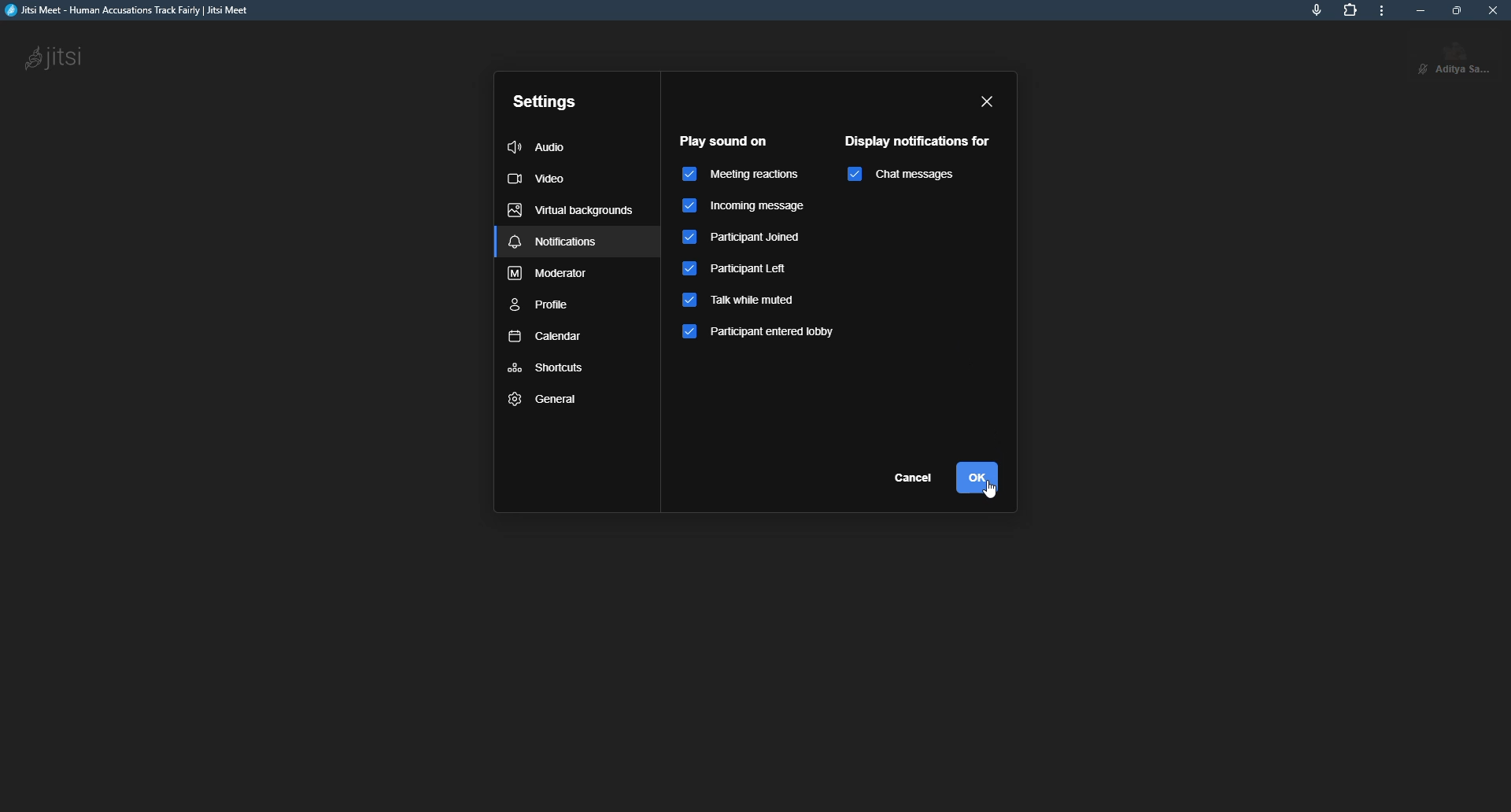 This screenshot has height=812, width=1511. What do you see at coordinates (545, 101) in the screenshot?
I see `settings` at bounding box center [545, 101].